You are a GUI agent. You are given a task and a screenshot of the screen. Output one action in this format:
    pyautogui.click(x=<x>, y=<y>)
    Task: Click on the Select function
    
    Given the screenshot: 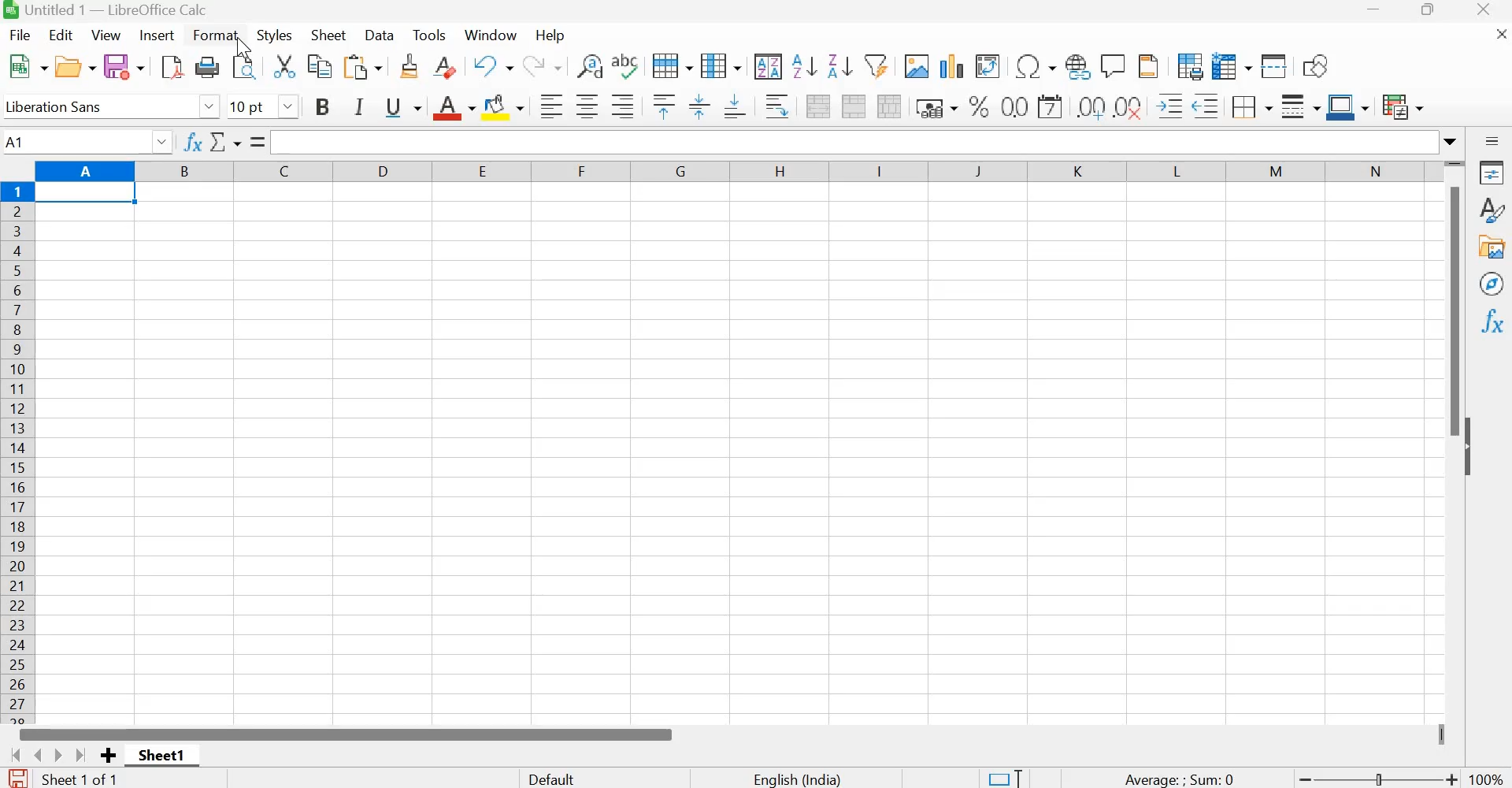 What is the action you would take?
    pyautogui.click(x=228, y=142)
    